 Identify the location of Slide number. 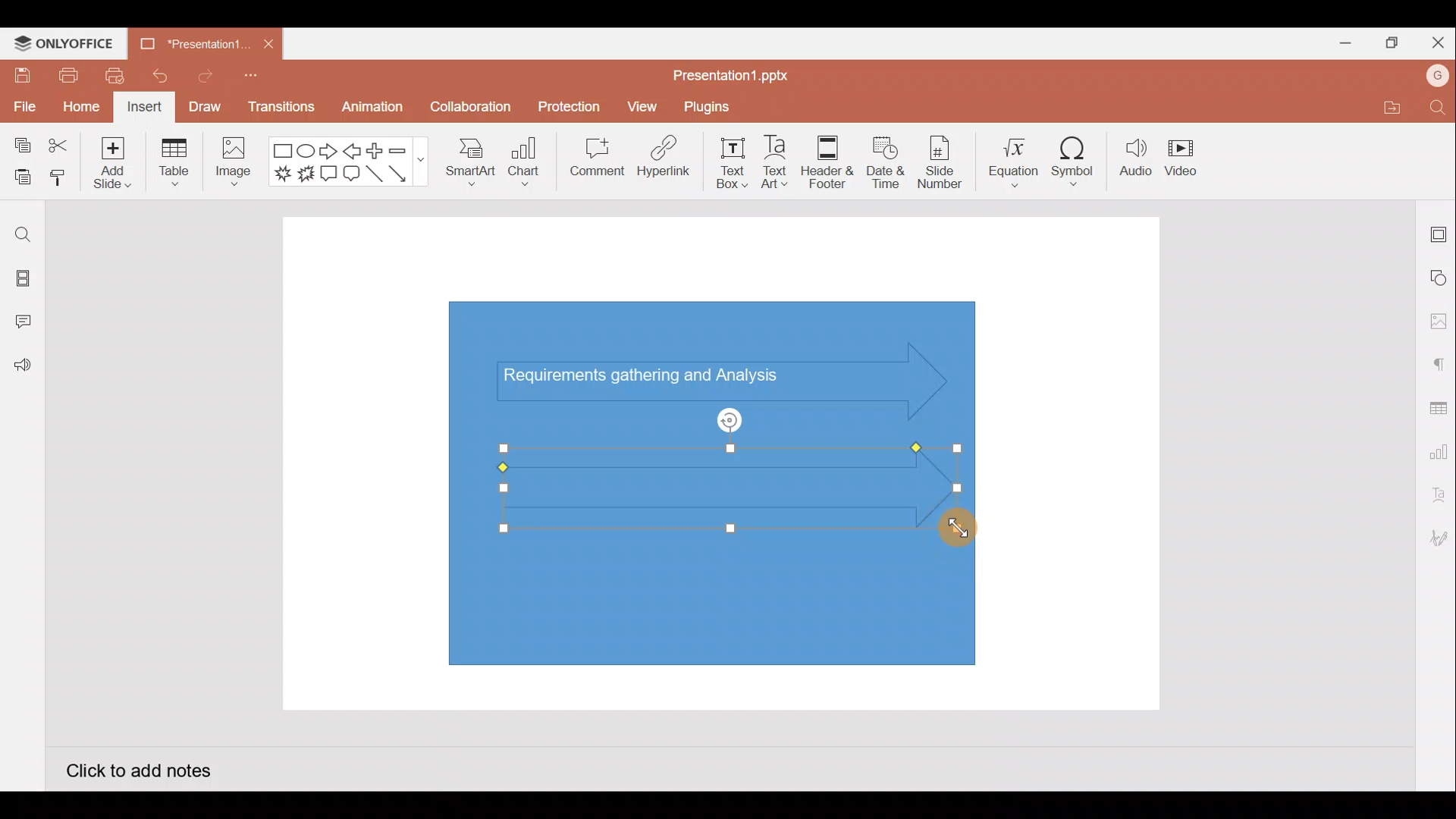
(939, 162).